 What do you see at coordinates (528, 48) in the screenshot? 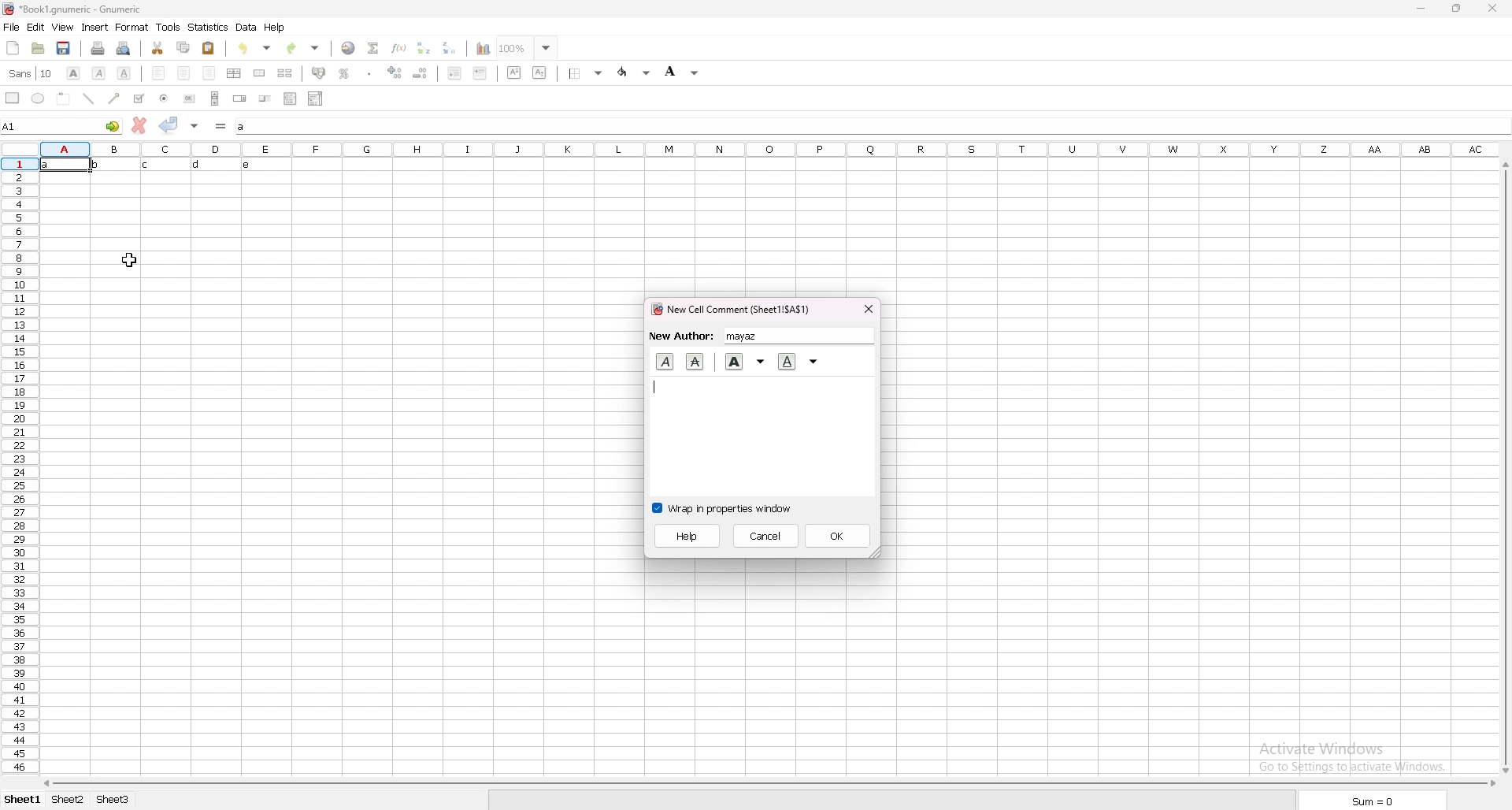
I see `zoom` at bounding box center [528, 48].